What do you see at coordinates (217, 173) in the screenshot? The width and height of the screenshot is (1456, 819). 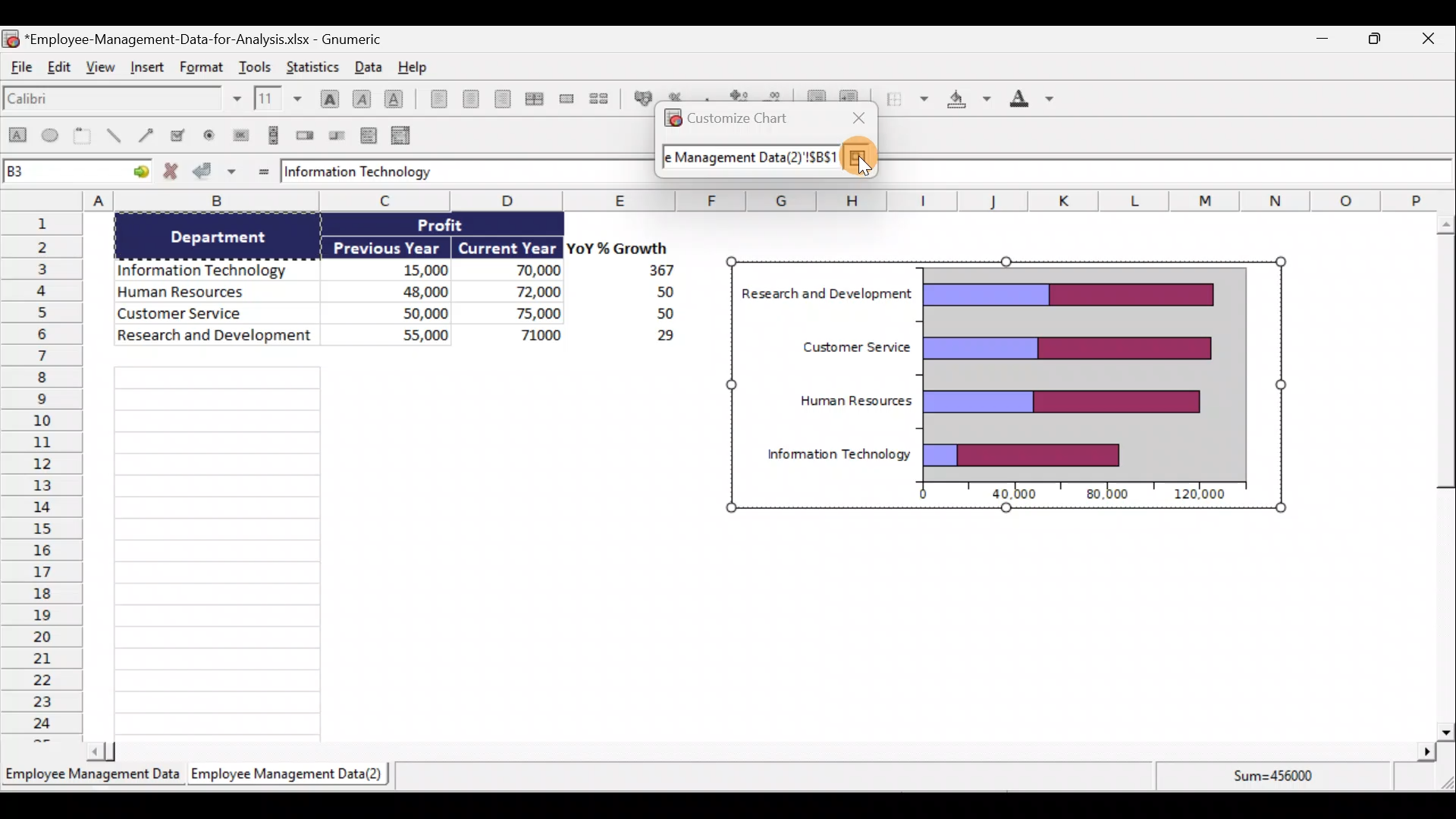 I see `Accept change` at bounding box center [217, 173].